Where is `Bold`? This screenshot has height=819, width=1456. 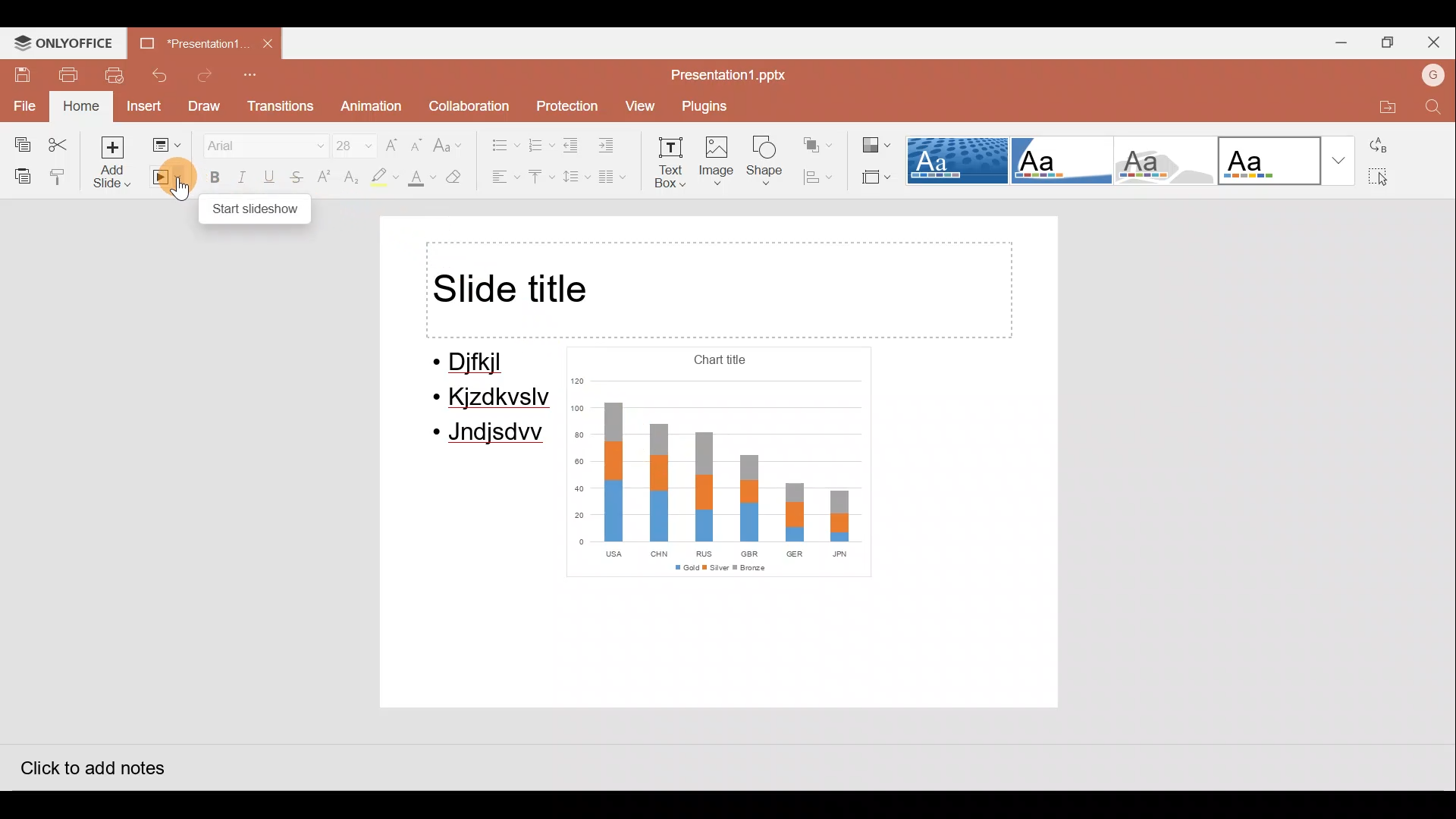
Bold is located at coordinates (210, 176).